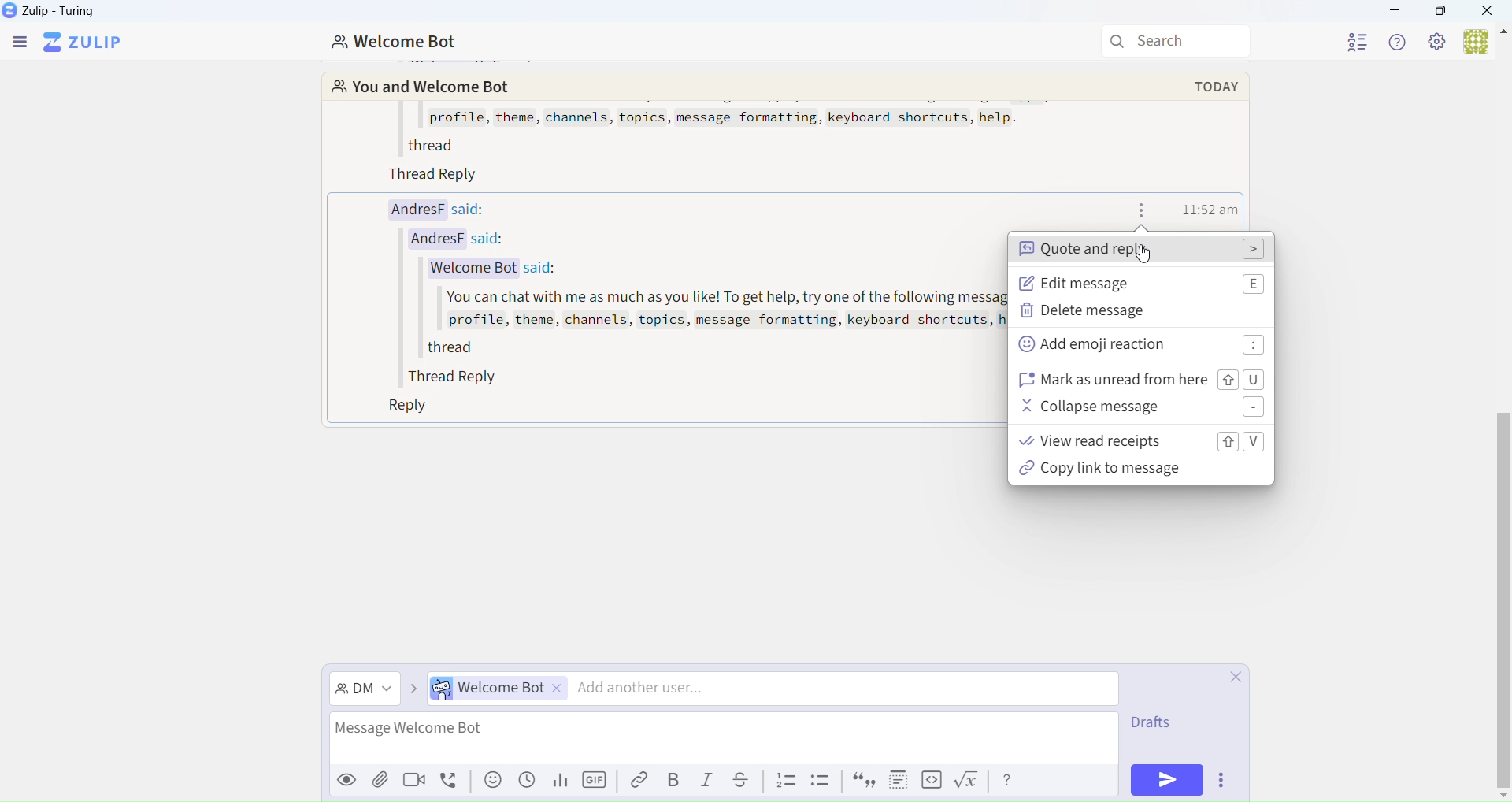 This screenshot has width=1512, height=802. Describe the element at coordinates (746, 781) in the screenshot. I see `Underline` at that location.